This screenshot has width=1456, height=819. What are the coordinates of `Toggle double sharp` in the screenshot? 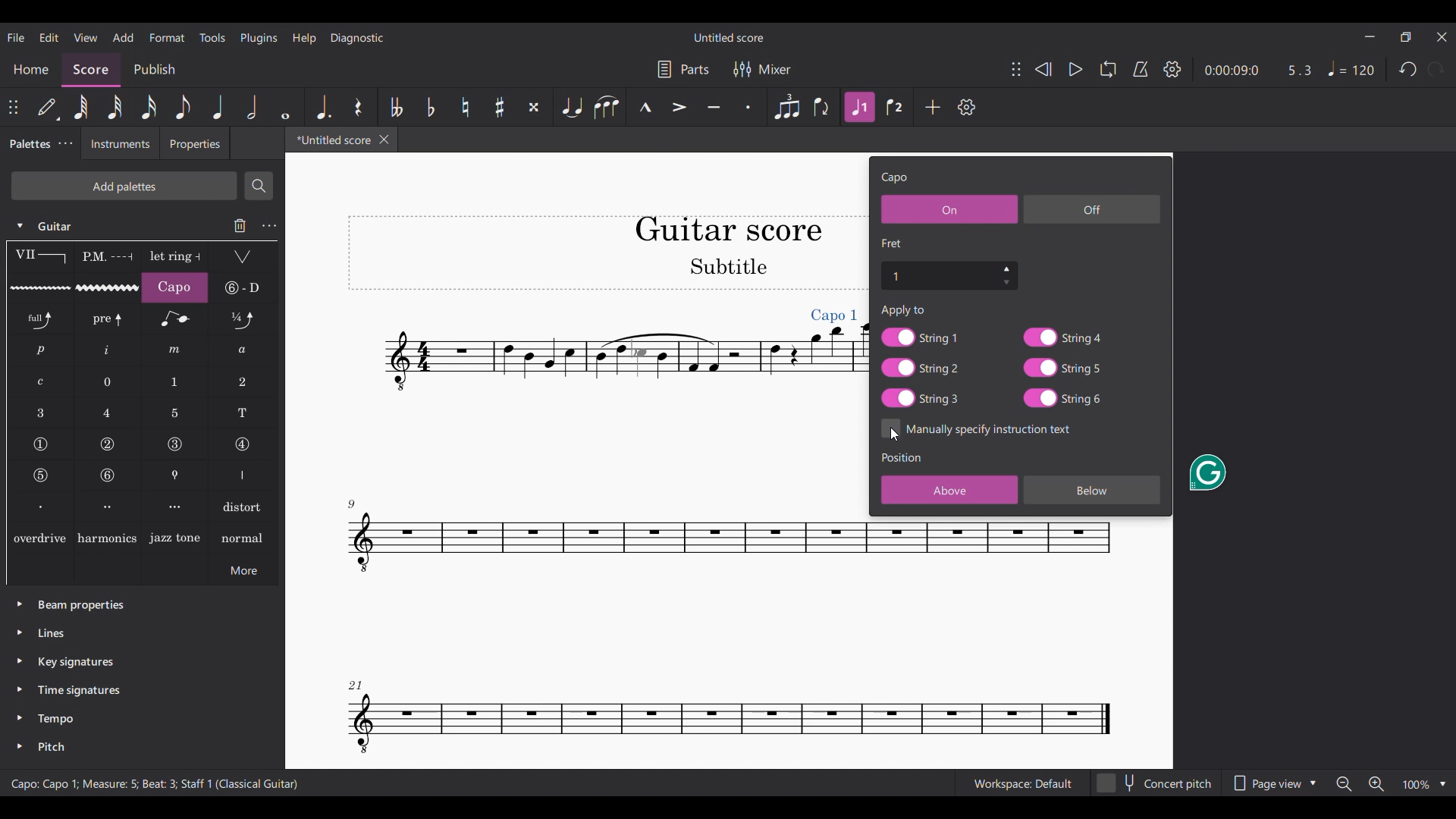 It's located at (534, 107).